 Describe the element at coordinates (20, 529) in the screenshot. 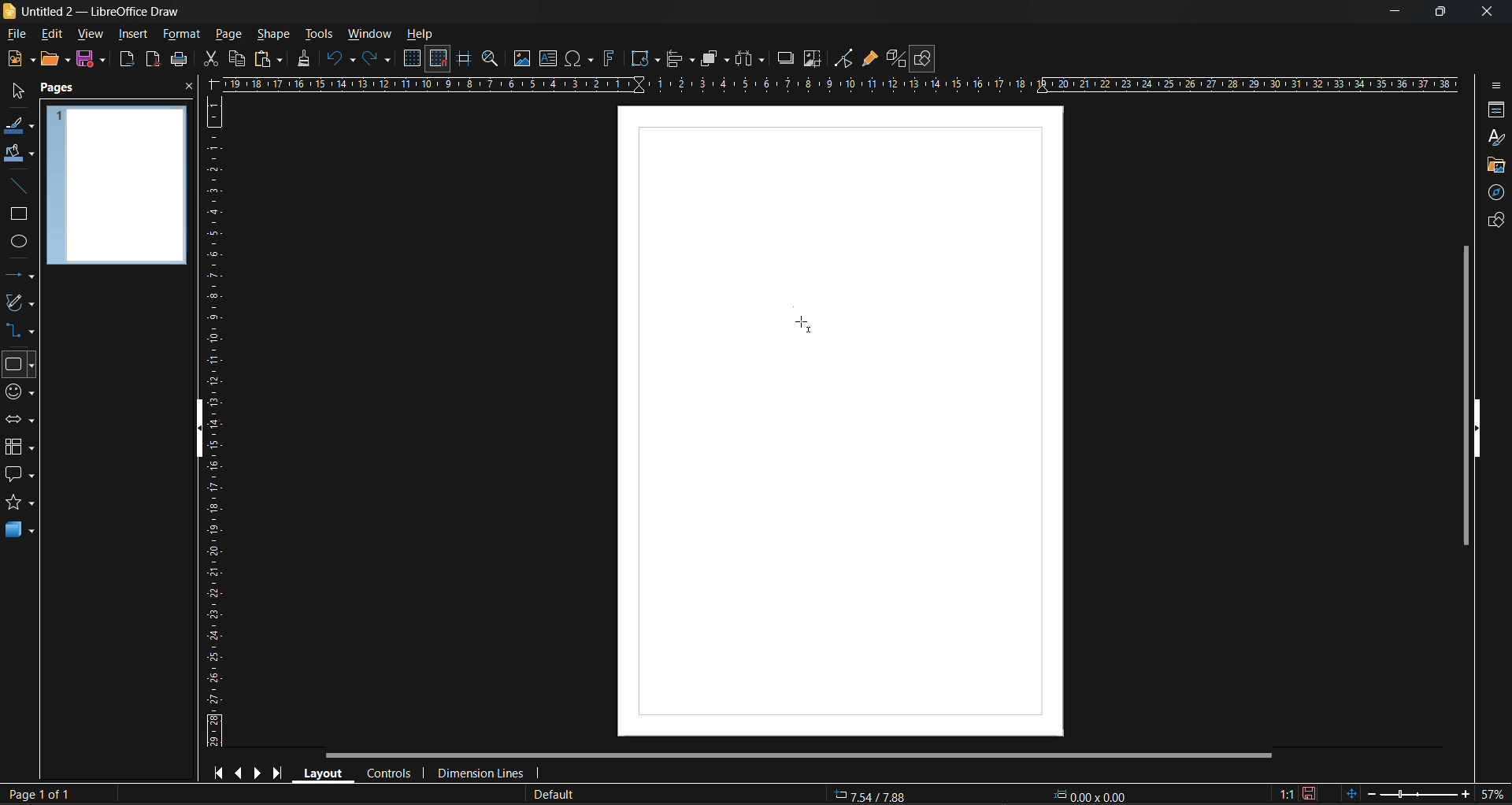

I see `3d shapes` at that location.